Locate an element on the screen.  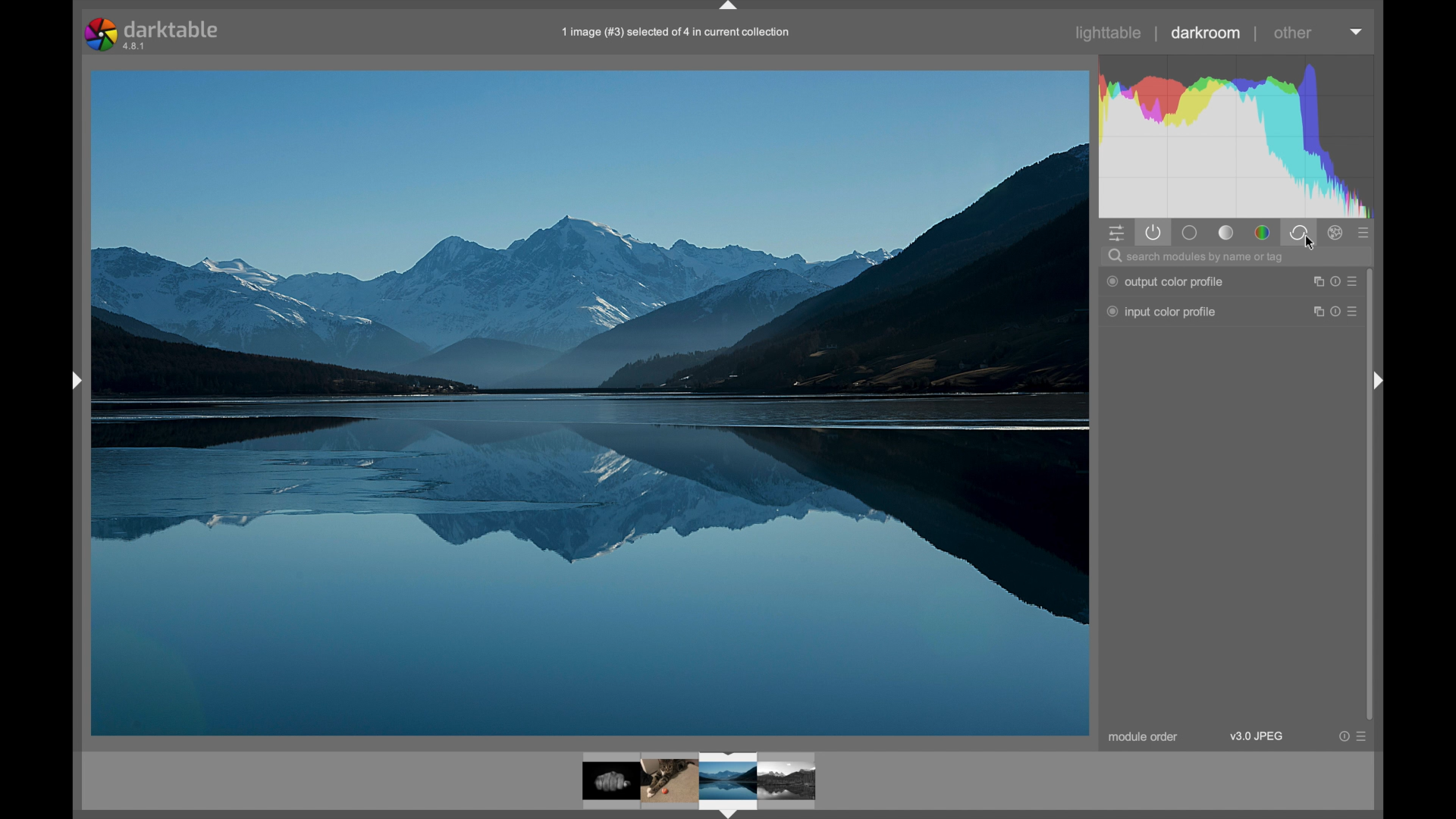
other is located at coordinates (1293, 33).